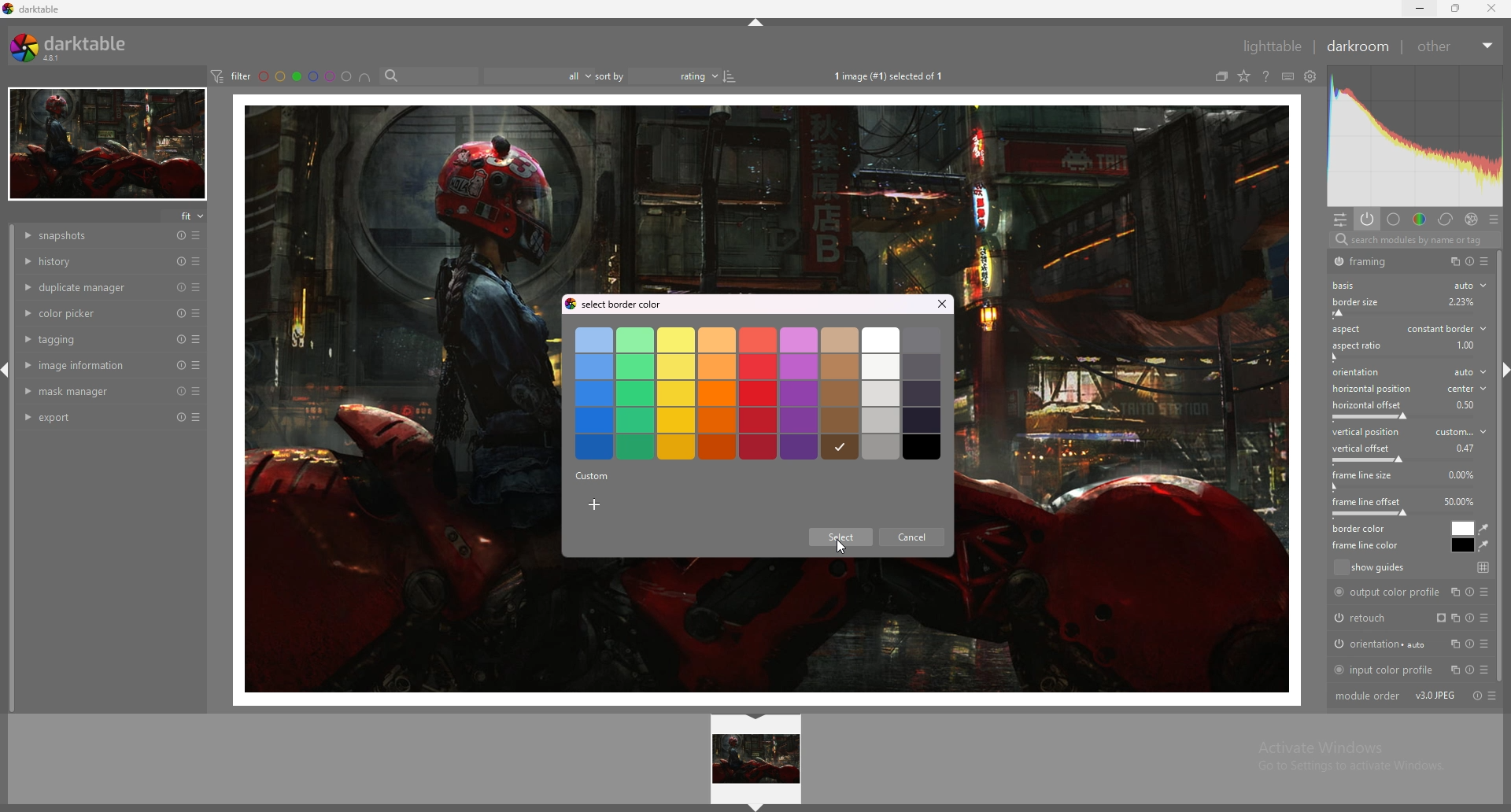 Image resolution: width=1511 pixels, height=812 pixels. What do you see at coordinates (759, 395) in the screenshot?
I see `border colors` at bounding box center [759, 395].